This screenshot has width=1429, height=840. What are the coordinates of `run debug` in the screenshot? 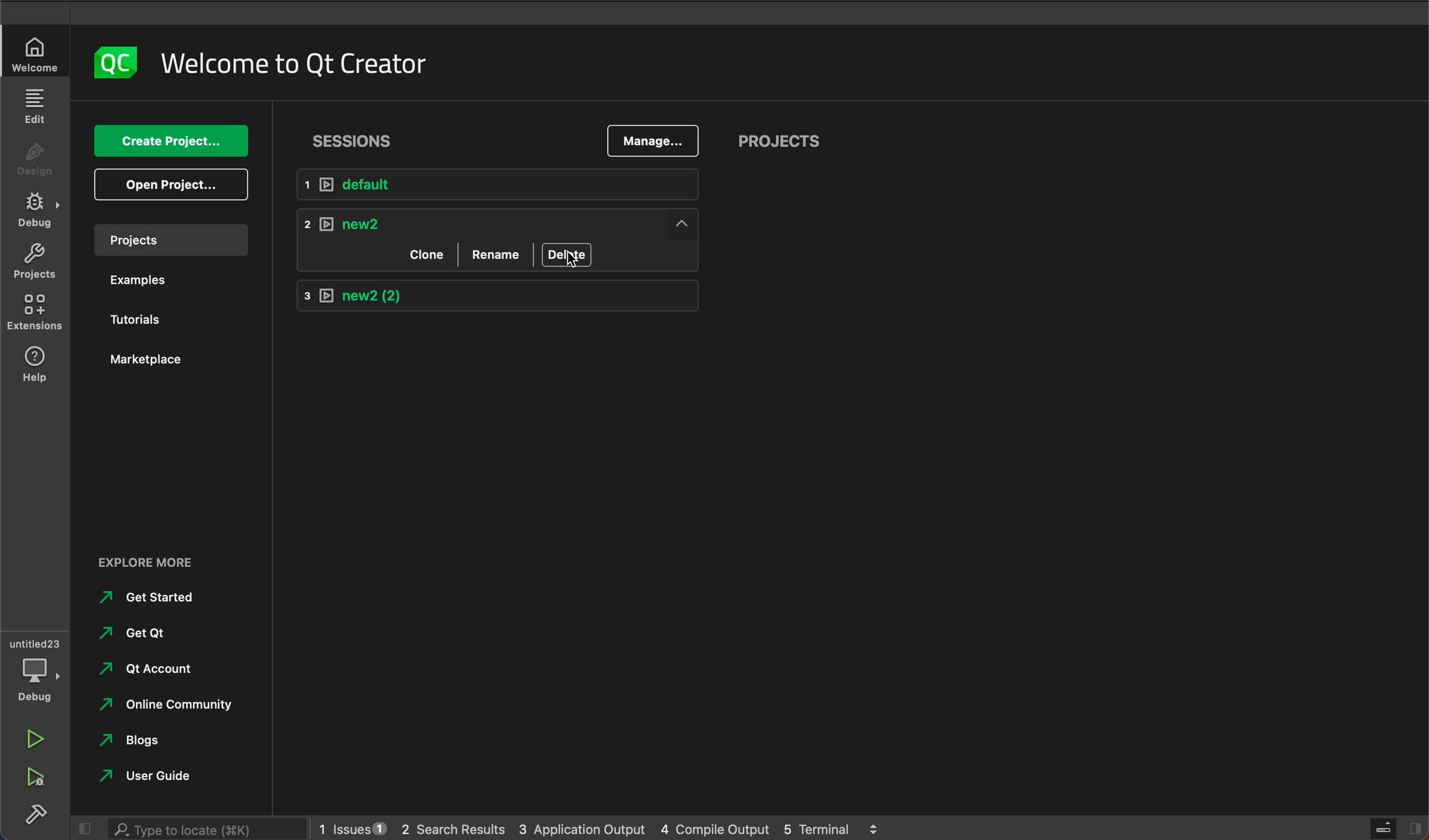 It's located at (35, 775).